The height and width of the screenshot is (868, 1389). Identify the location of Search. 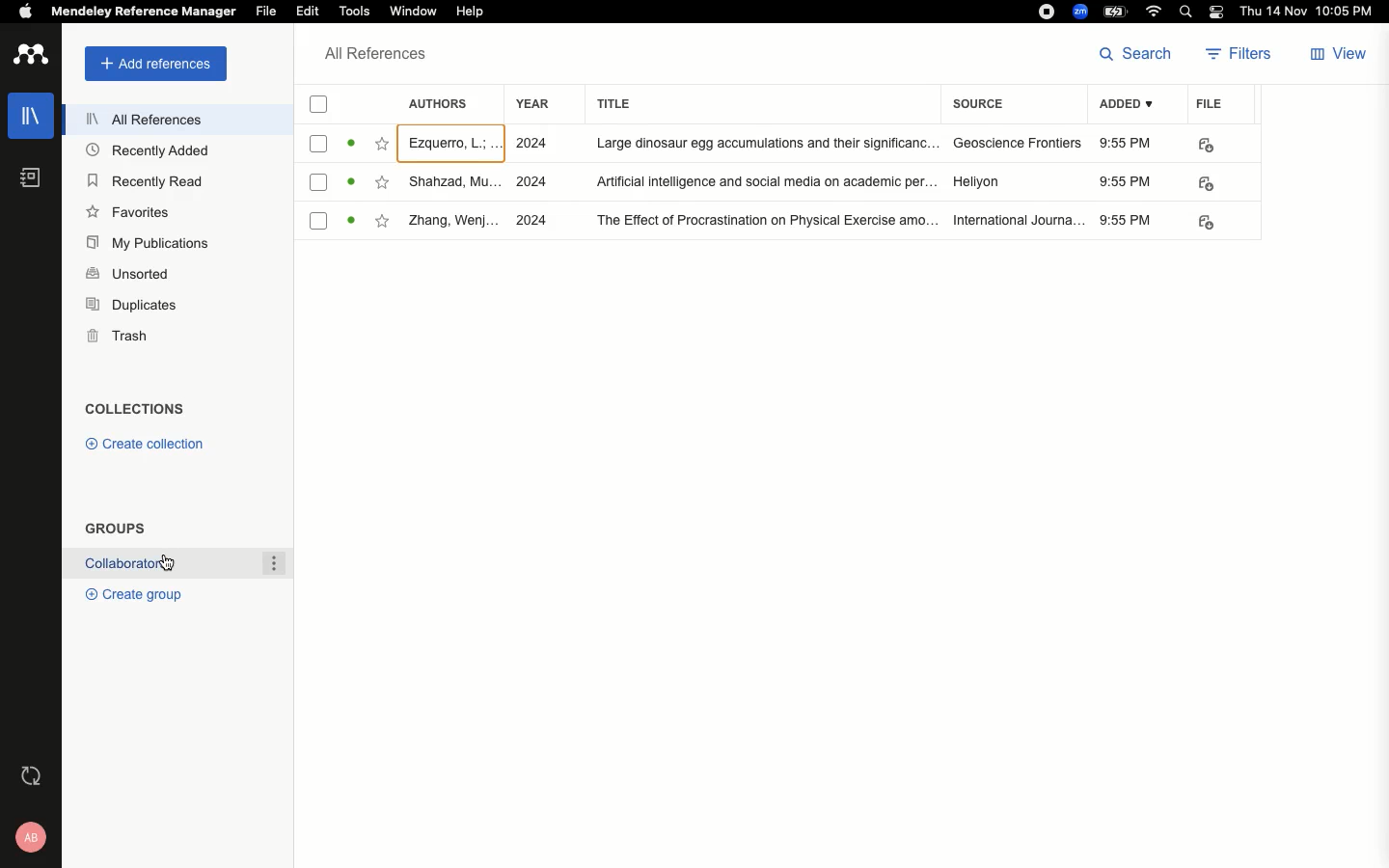
(1135, 52).